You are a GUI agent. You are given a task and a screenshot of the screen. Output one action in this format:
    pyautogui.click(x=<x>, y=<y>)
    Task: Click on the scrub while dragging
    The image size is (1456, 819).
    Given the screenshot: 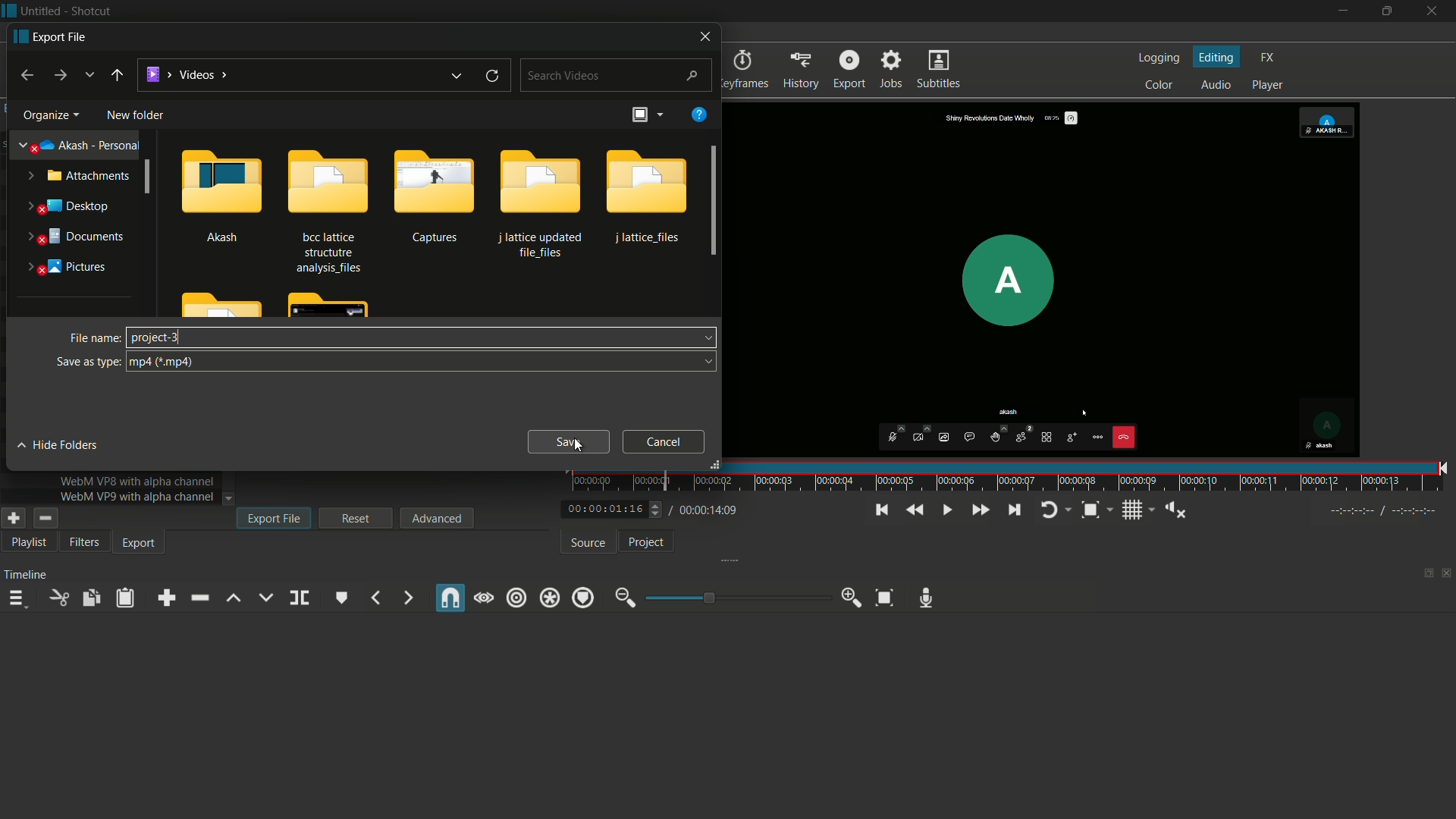 What is the action you would take?
    pyautogui.click(x=483, y=598)
    